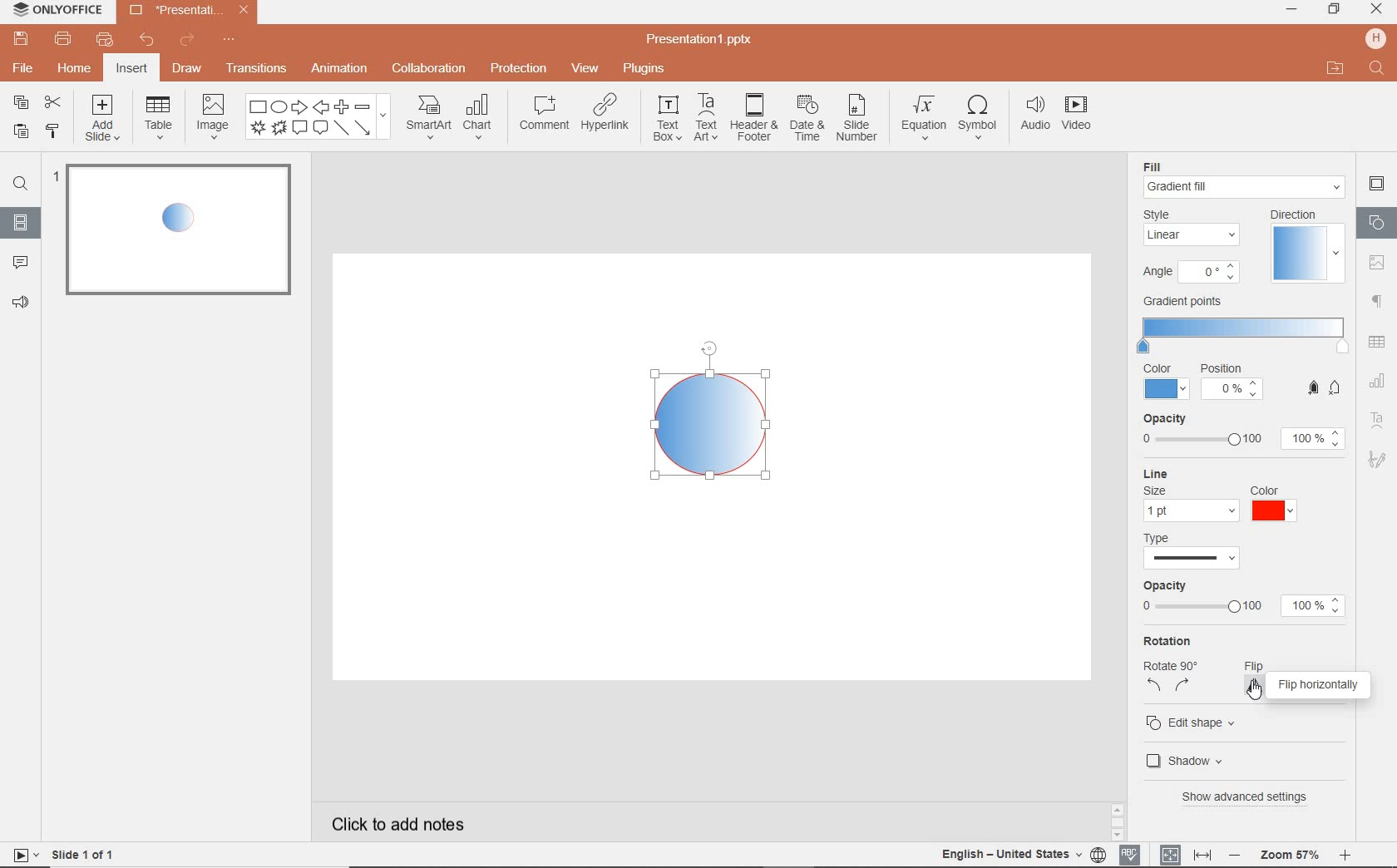  What do you see at coordinates (19, 304) in the screenshot?
I see `feedback & support` at bounding box center [19, 304].